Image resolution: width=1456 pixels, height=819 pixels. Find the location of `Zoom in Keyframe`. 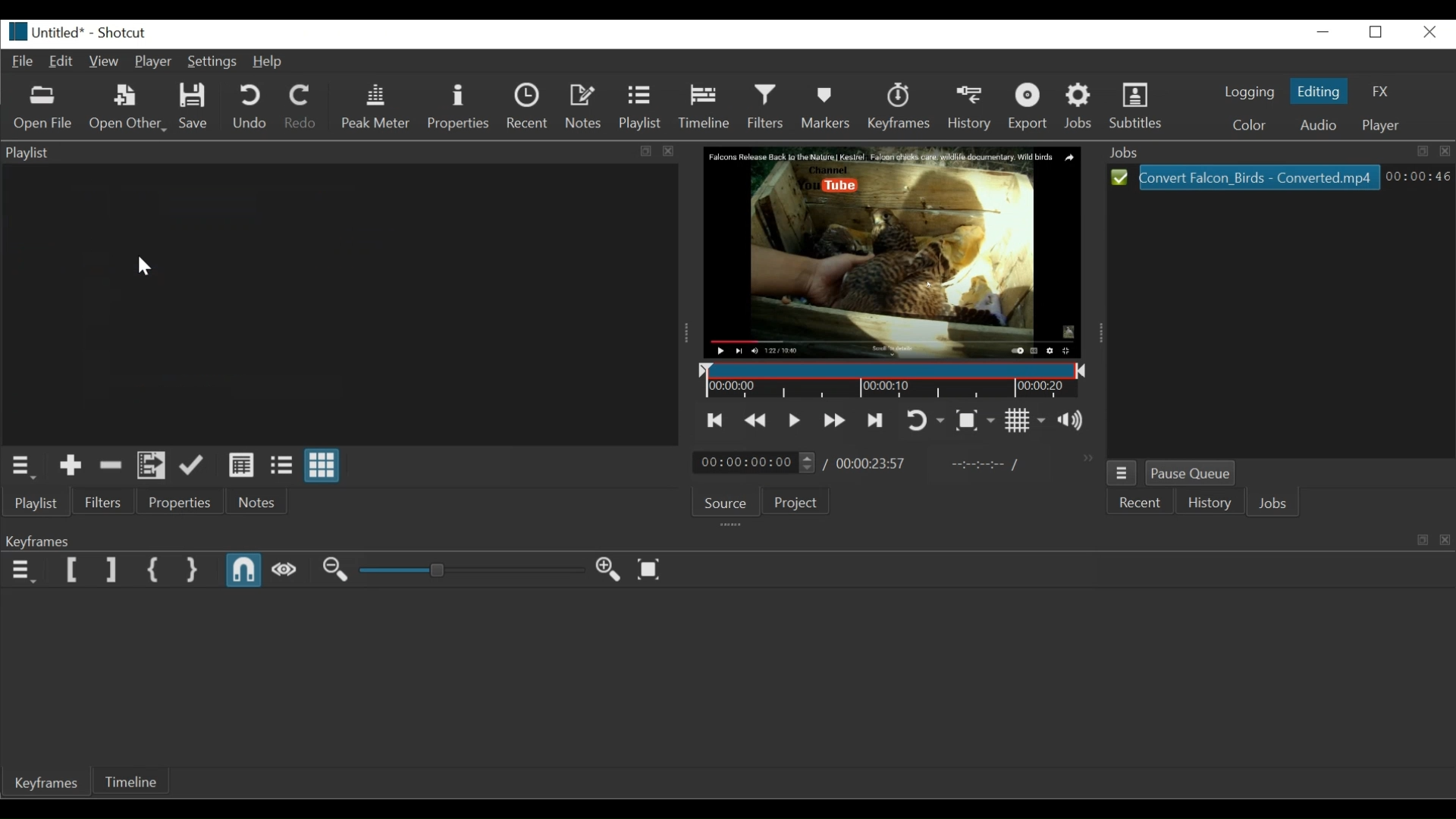

Zoom in Keyframe is located at coordinates (606, 570).